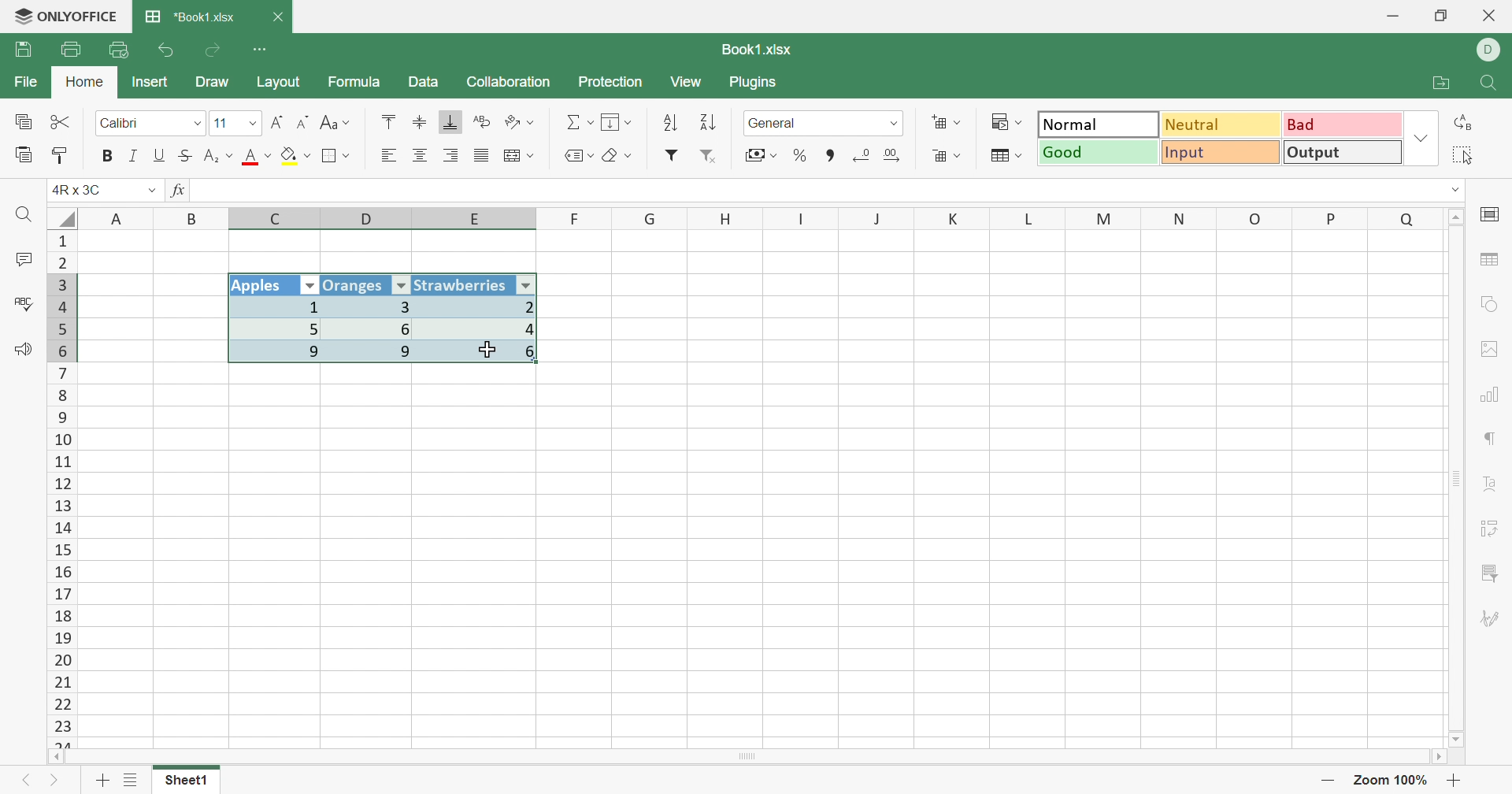 The height and width of the screenshot is (794, 1512). I want to click on P, so click(1332, 217).